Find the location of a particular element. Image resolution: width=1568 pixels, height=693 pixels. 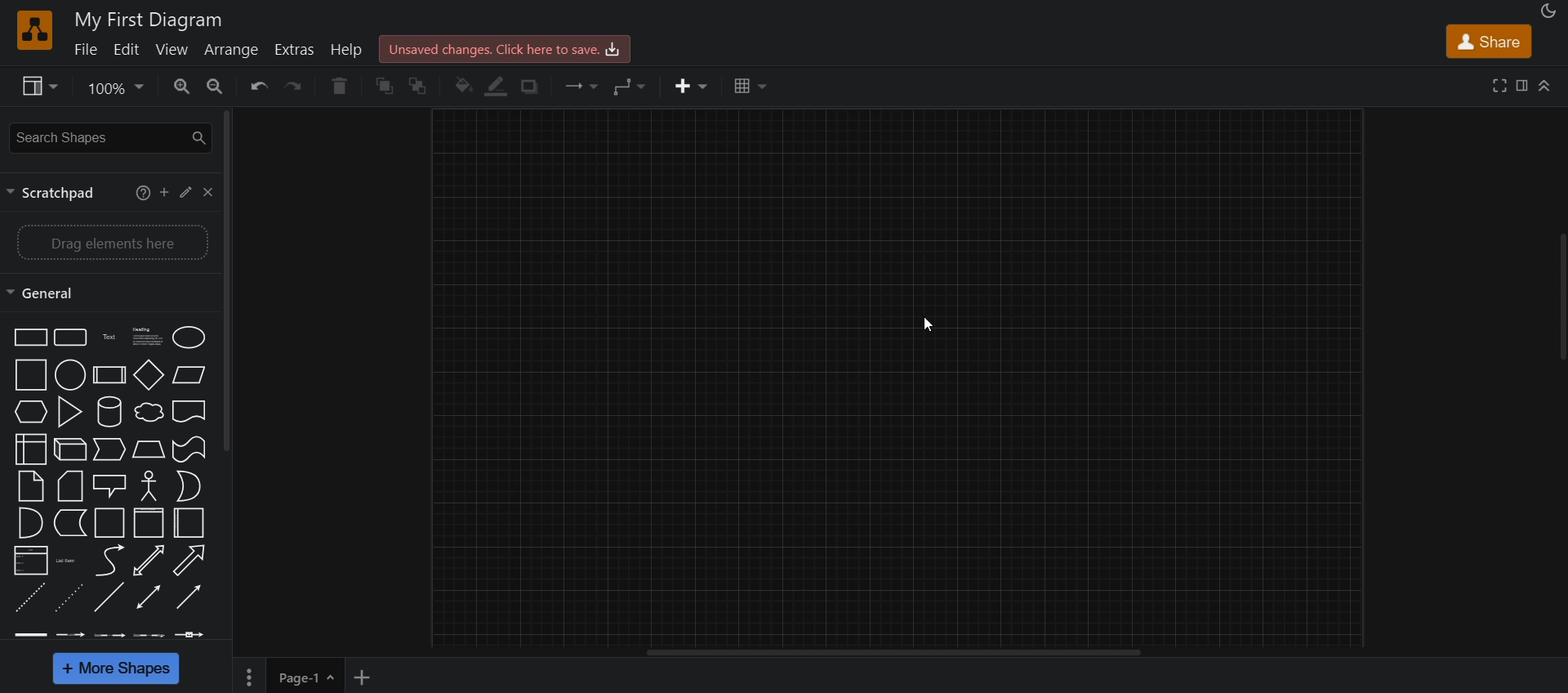

logo is located at coordinates (35, 30).